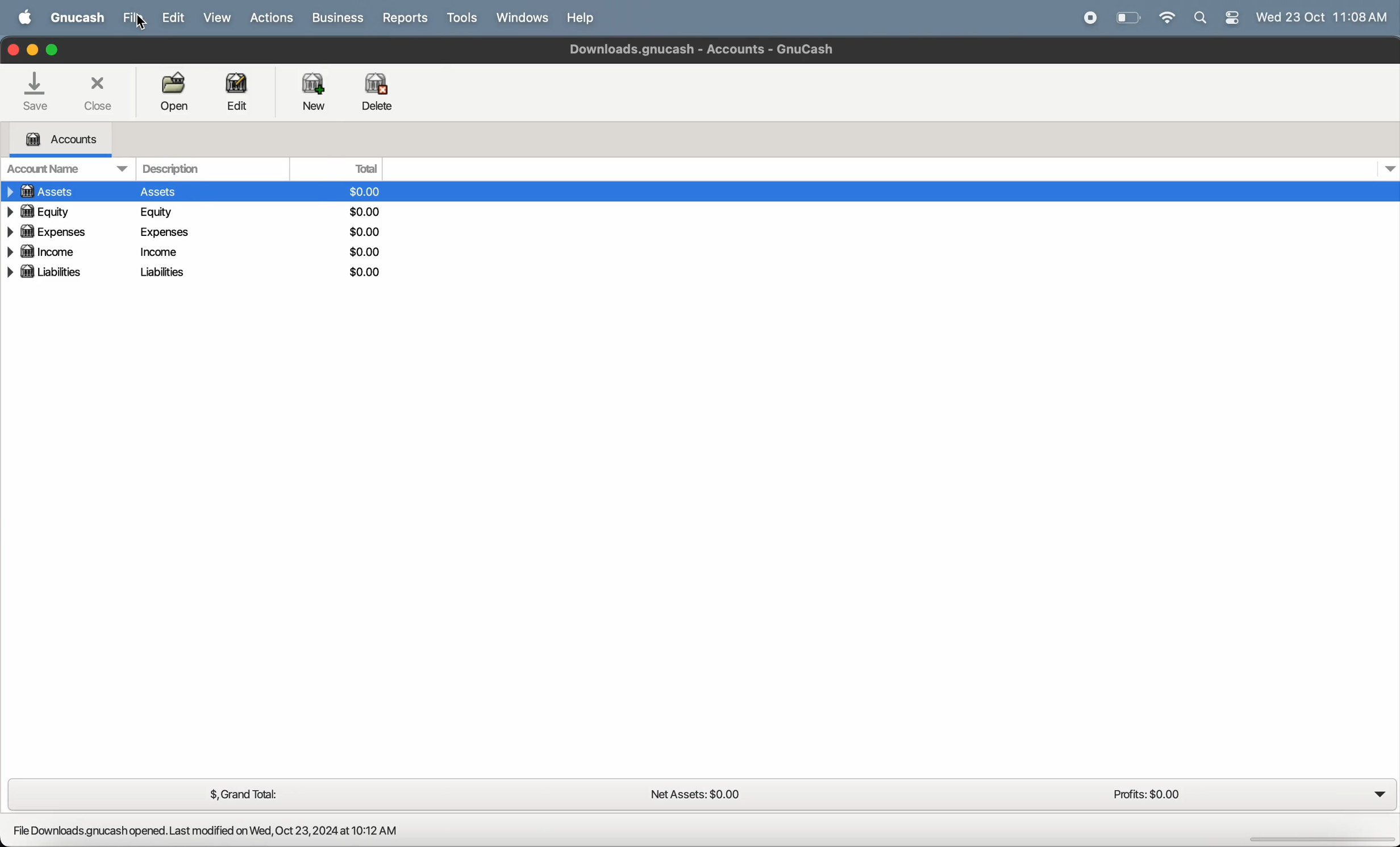 This screenshot has height=847, width=1400. What do you see at coordinates (46, 231) in the screenshot?
I see `expenses` at bounding box center [46, 231].